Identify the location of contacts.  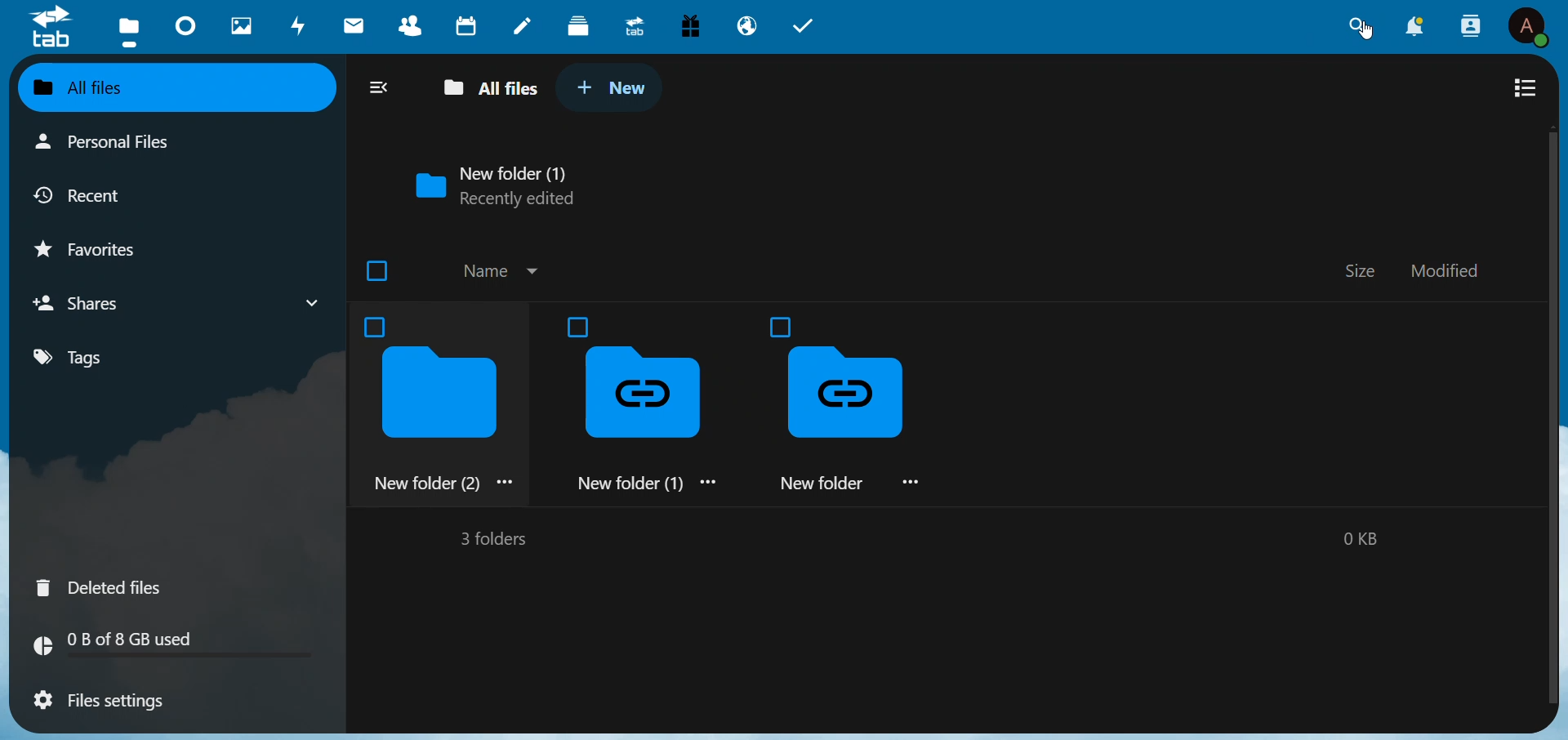
(1472, 25).